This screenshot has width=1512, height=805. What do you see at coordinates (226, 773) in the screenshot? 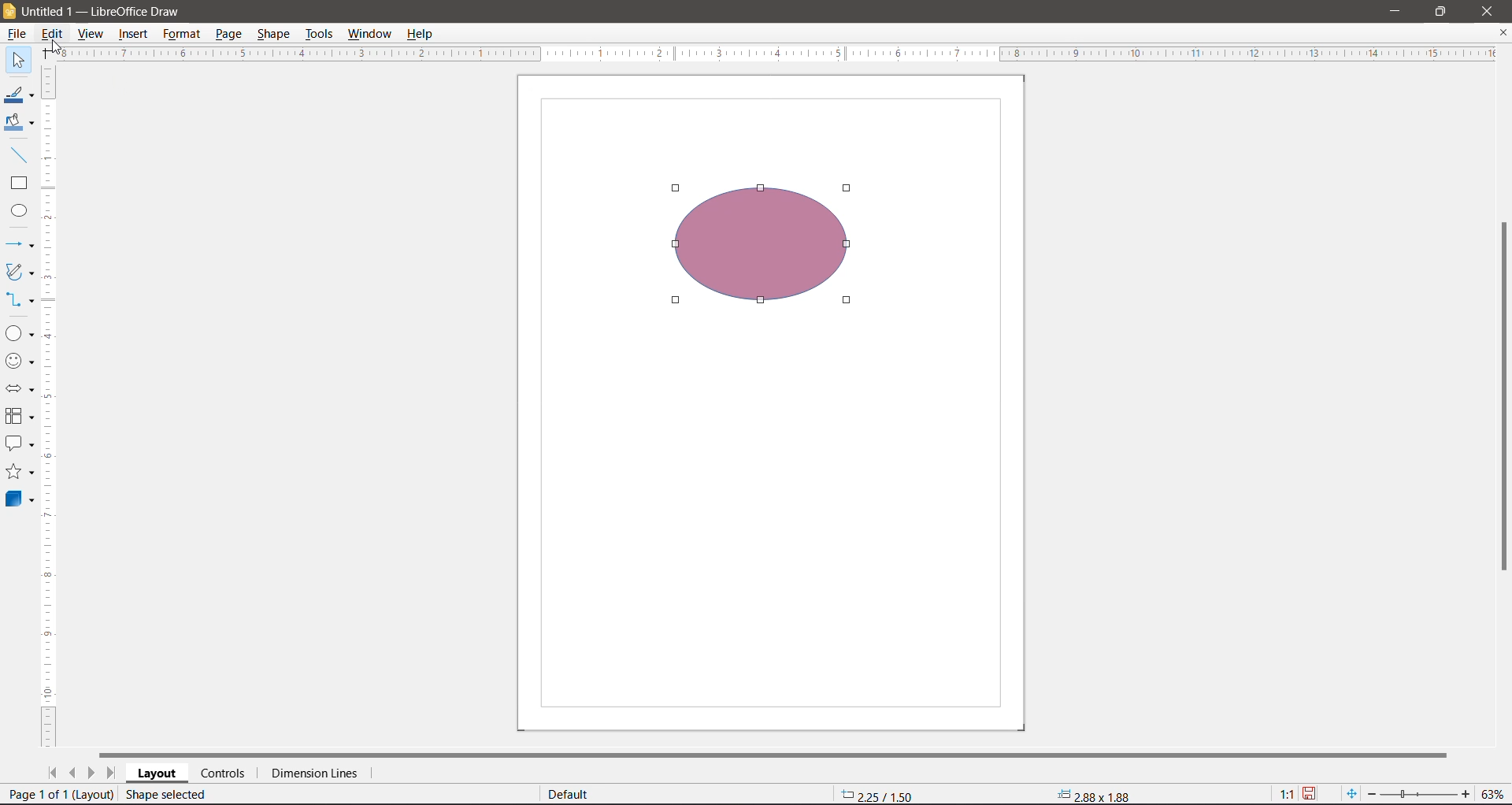
I see `Controls` at bounding box center [226, 773].